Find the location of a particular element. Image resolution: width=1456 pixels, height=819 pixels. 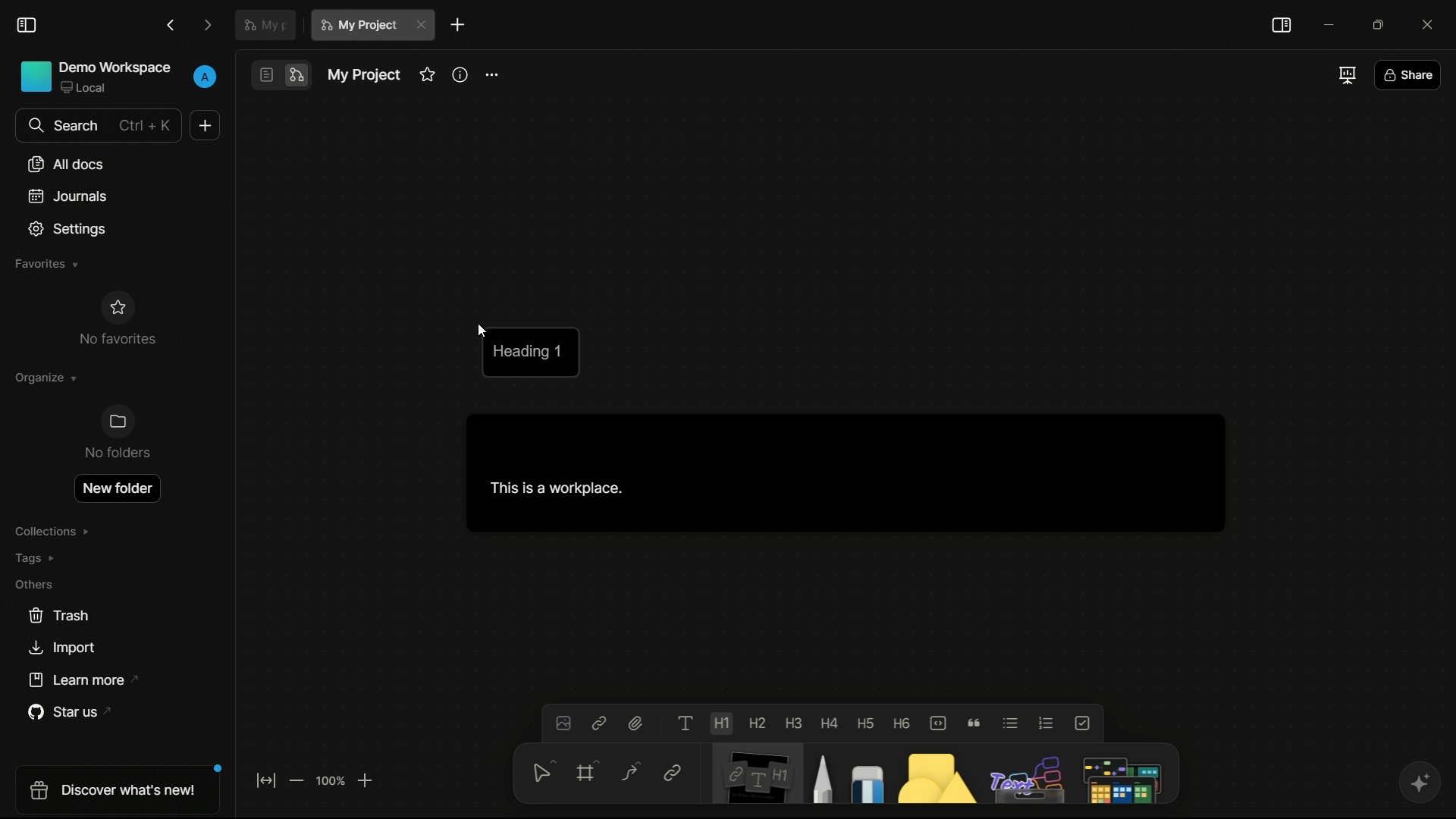

tags is located at coordinates (35, 560).